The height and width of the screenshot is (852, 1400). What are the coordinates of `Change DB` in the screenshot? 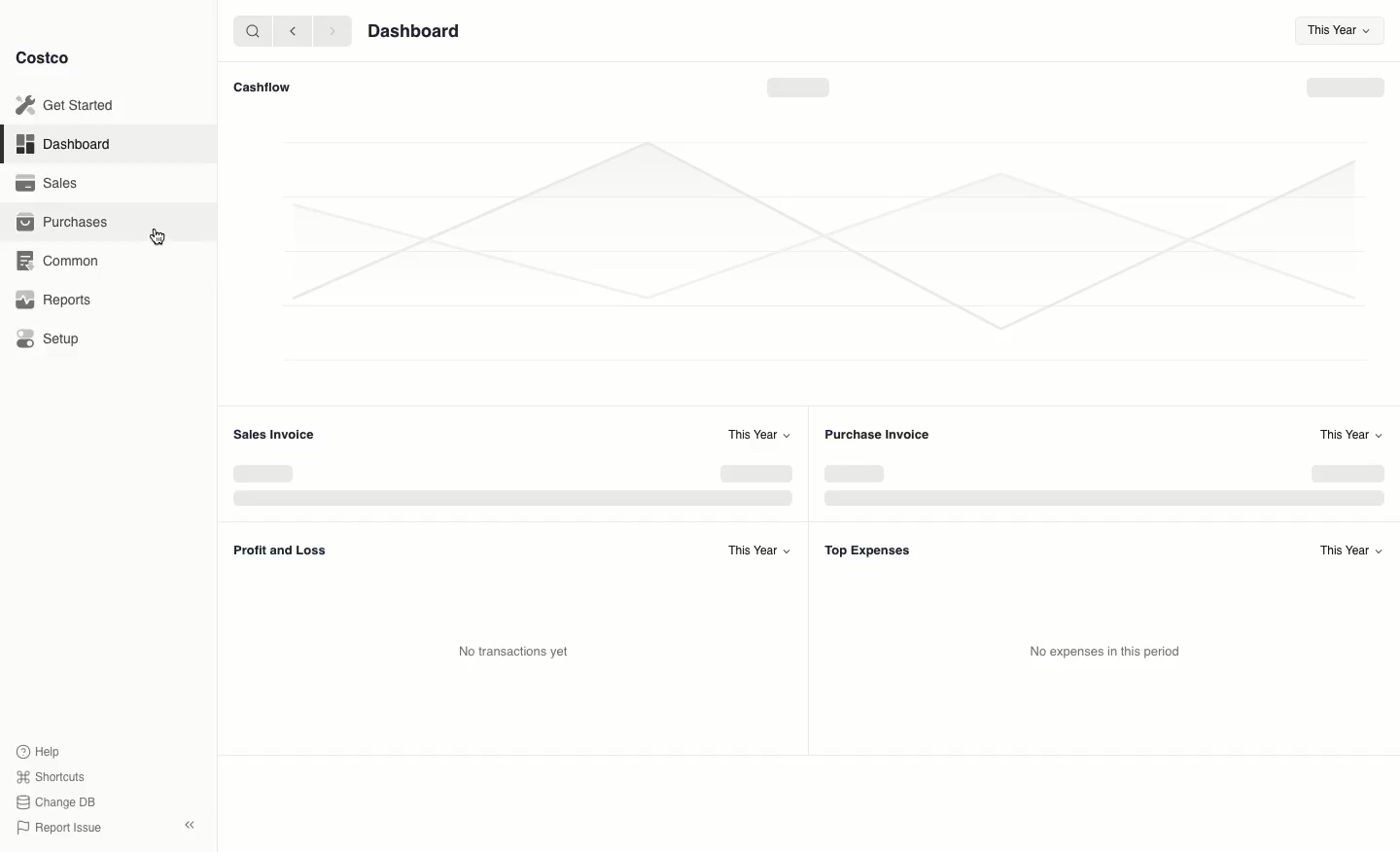 It's located at (59, 802).